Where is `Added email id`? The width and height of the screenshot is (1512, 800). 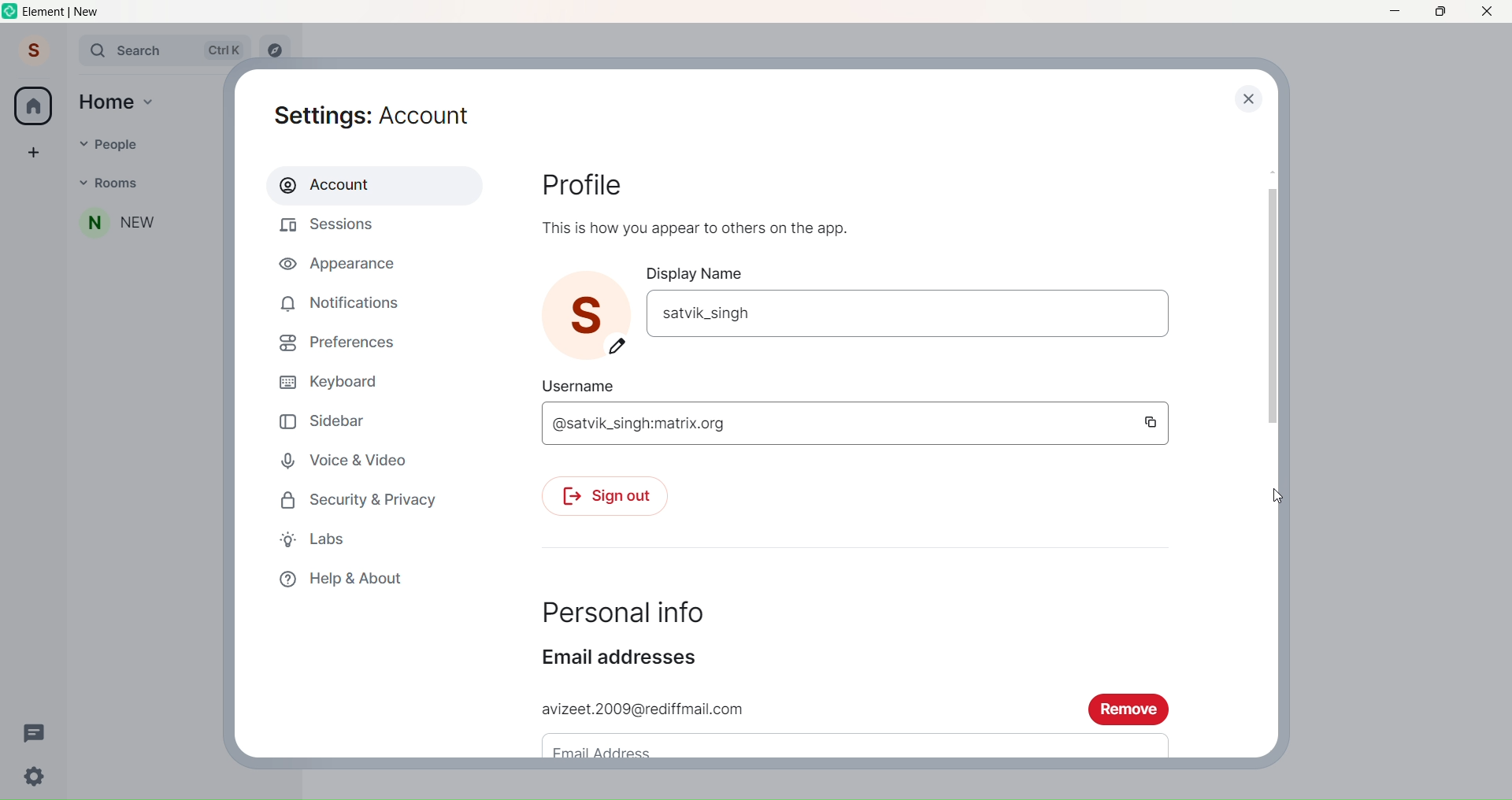
Added email id is located at coordinates (802, 708).